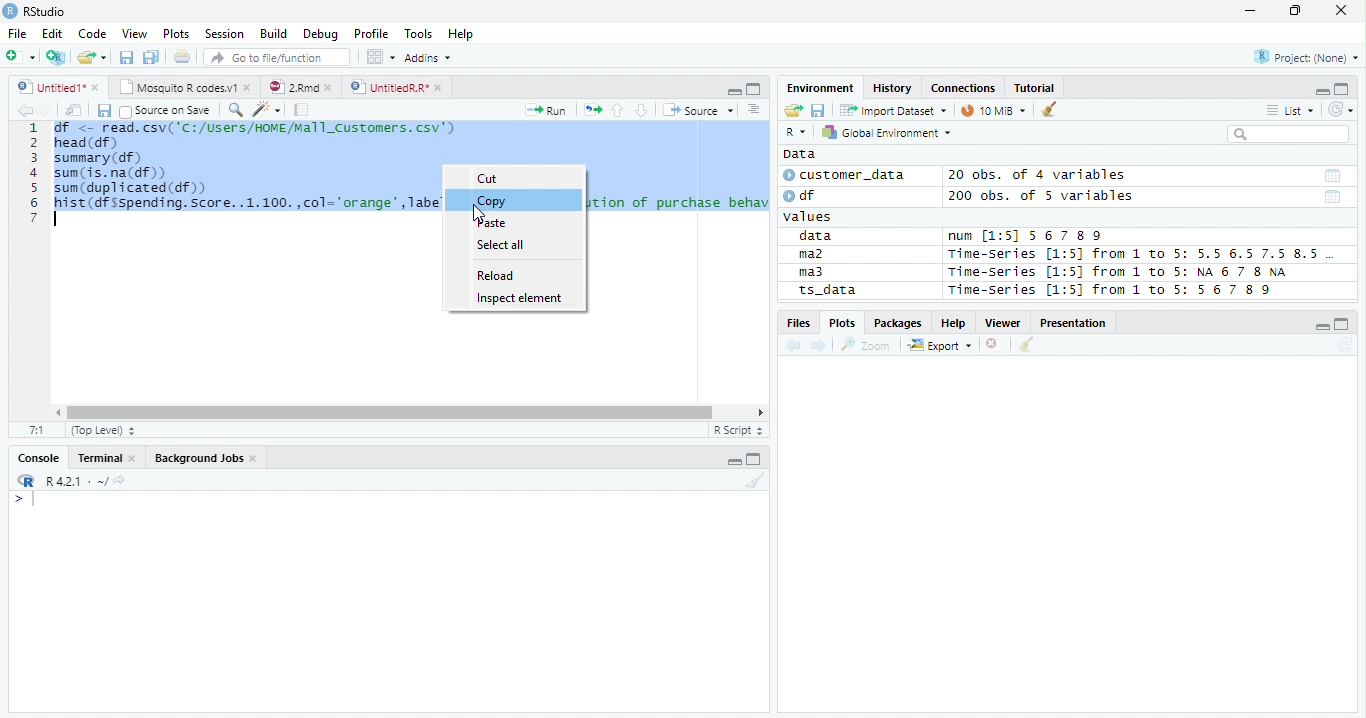 The image size is (1366, 718). Describe the element at coordinates (816, 272) in the screenshot. I see `ma3` at that location.